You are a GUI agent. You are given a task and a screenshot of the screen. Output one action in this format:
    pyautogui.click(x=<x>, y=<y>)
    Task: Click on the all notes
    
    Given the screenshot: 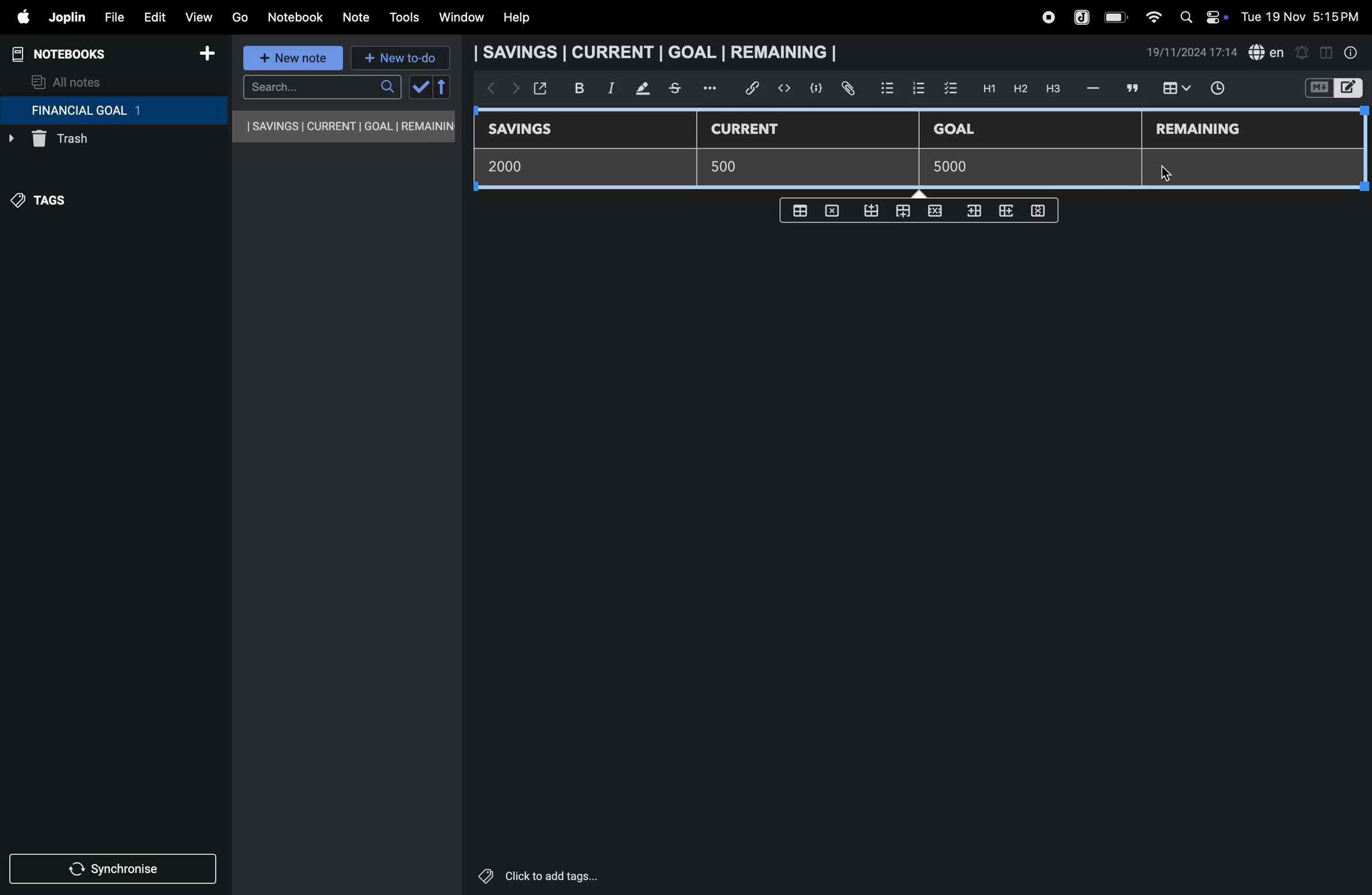 What is the action you would take?
    pyautogui.click(x=67, y=81)
    